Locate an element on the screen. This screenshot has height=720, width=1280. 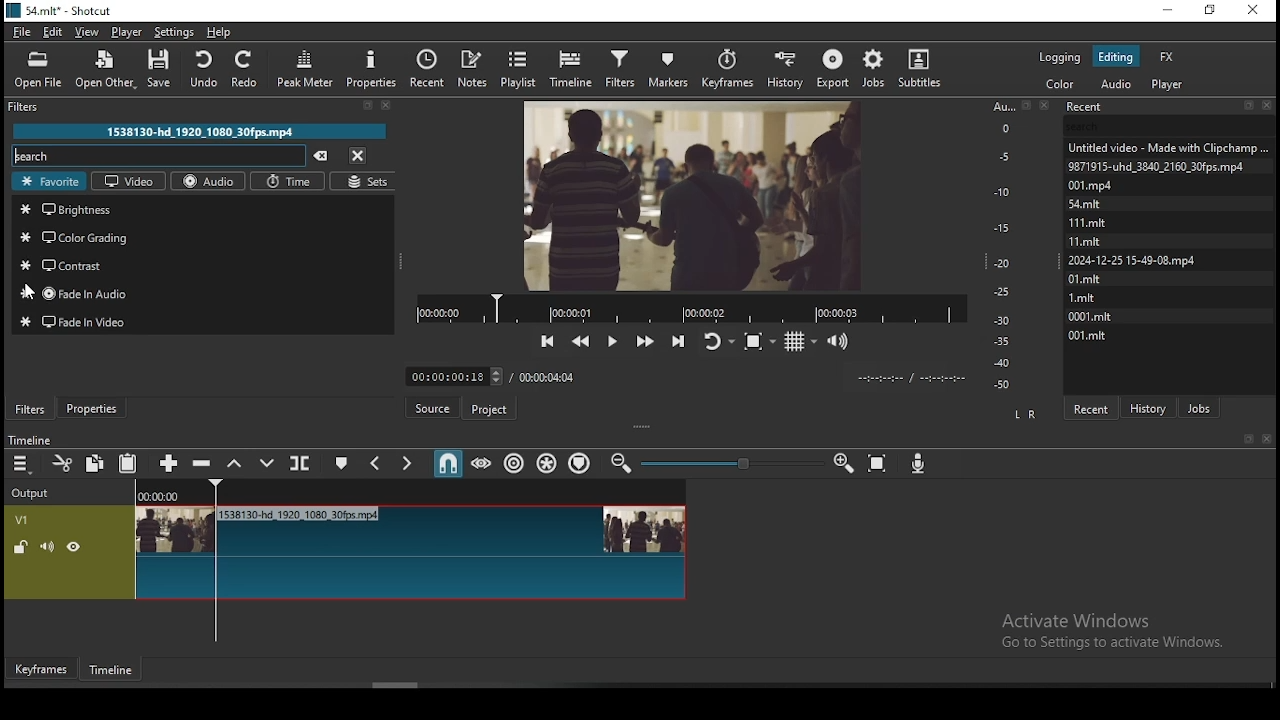
9871915-uhd_3840_2160_30fps.mp4 is located at coordinates (1162, 167).